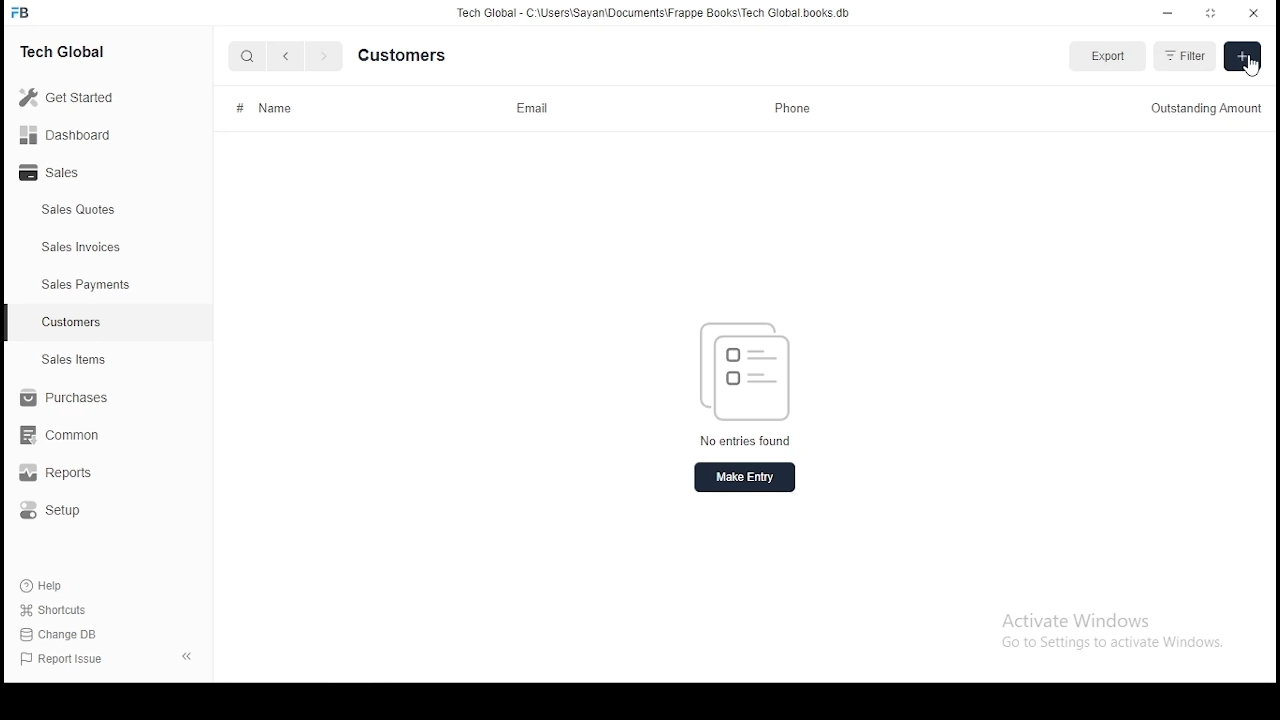 This screenshot has height=720, width=1280. What do you see at coordinates (321, 56) in the screenshot?
I see `next` at bounding box center [321, 56].